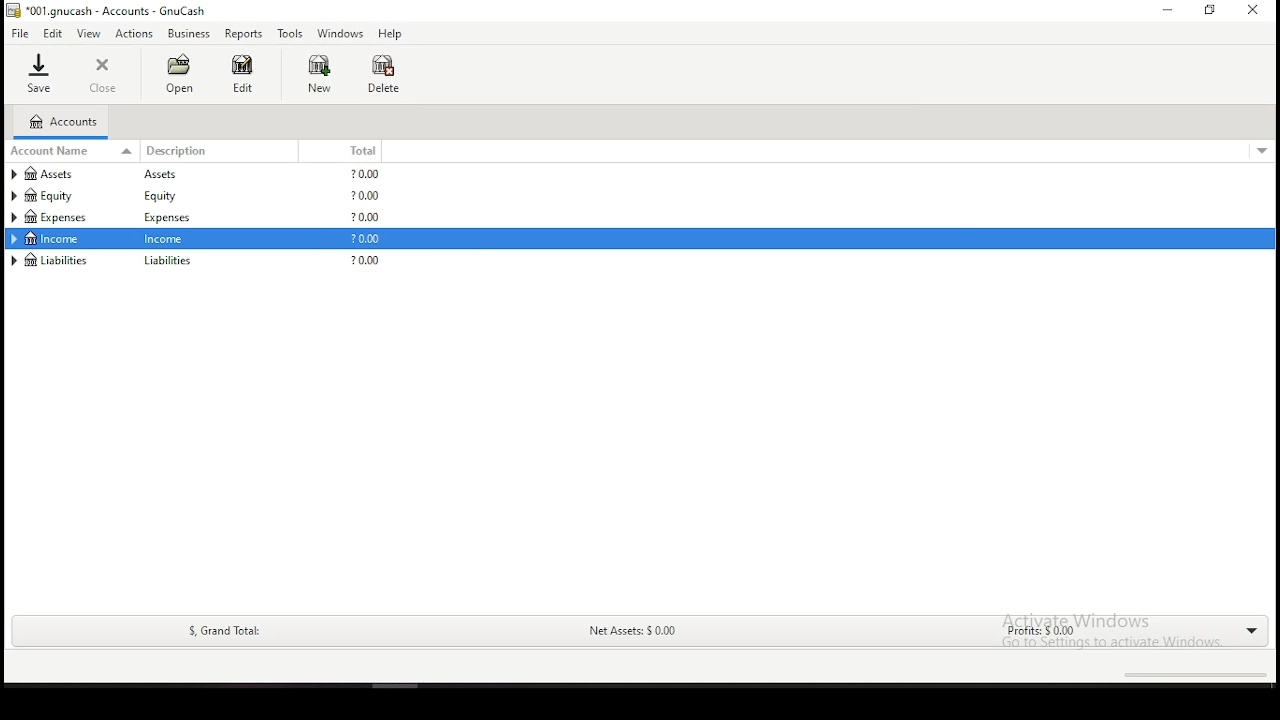  Describe the element at coordinates (105, 75) in the screenshot. I see `close` at that location.